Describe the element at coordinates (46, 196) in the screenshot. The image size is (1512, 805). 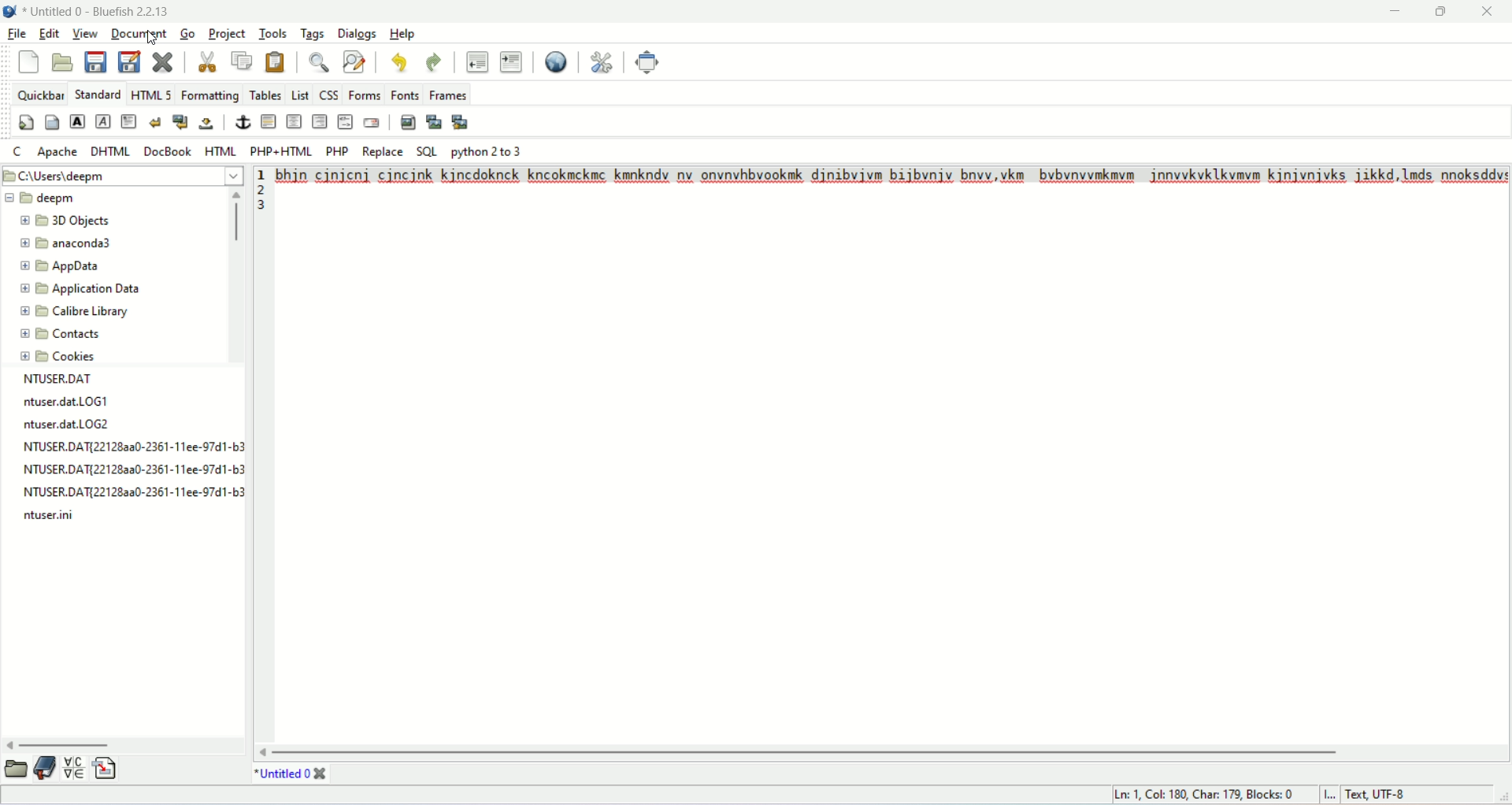
I see `deepm` at that location.